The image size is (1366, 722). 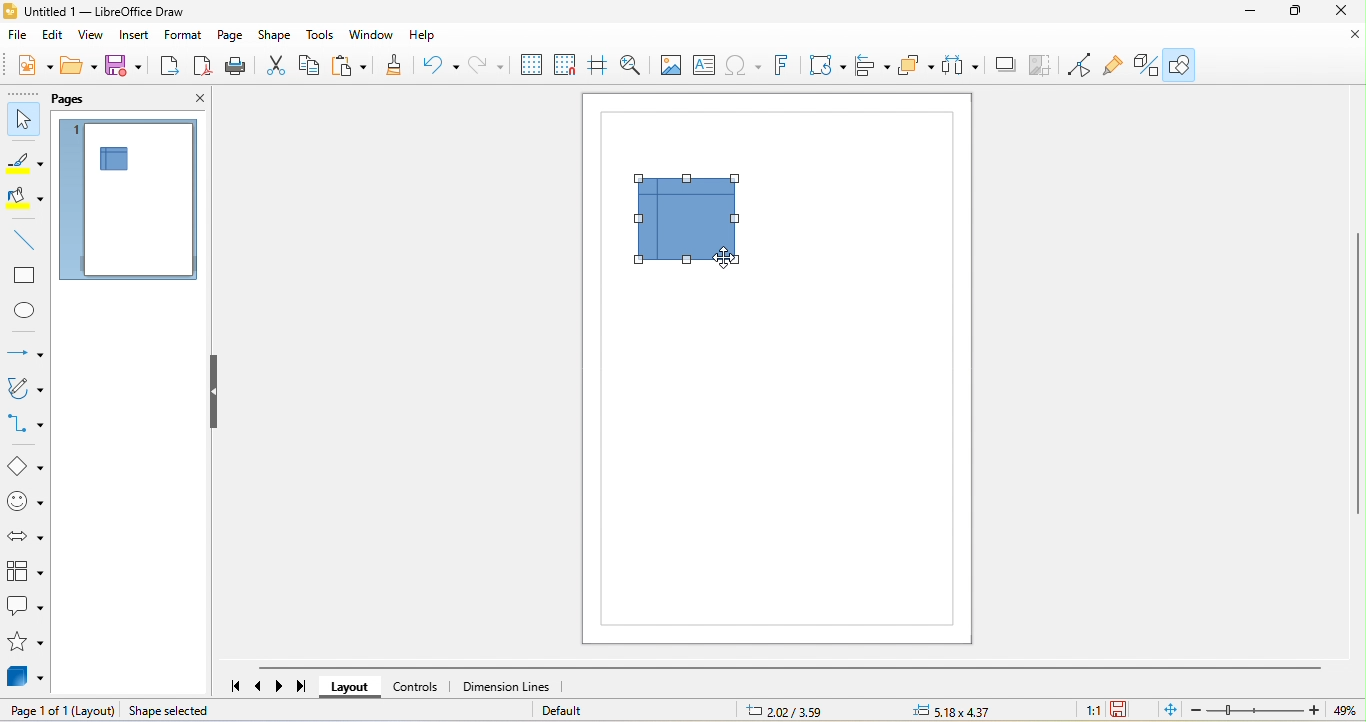 What do you see at coordinates (870, 66) in the screenshot?
I see `align object` at bounding box center [870, 66].